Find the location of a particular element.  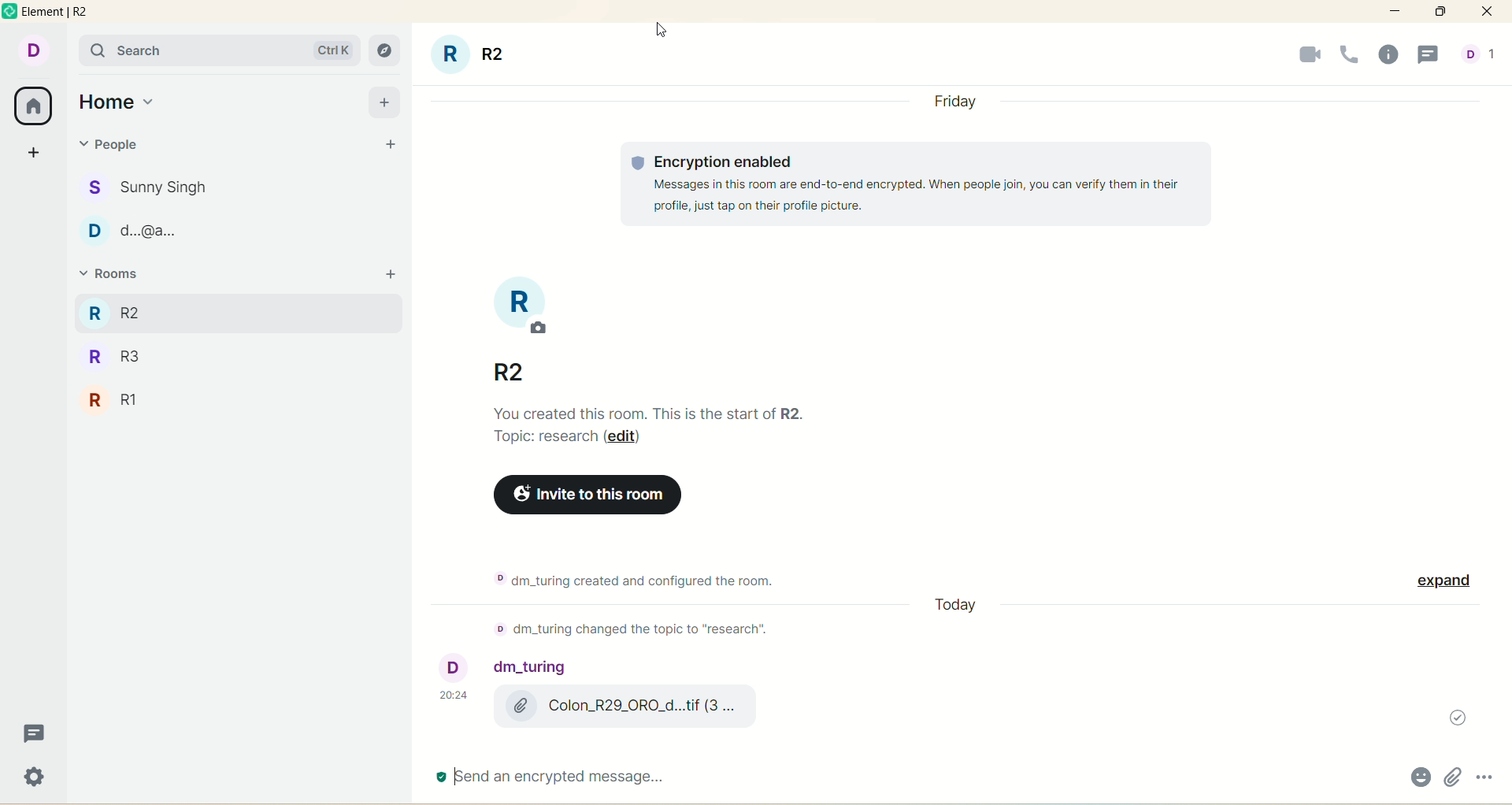

vertical scroll bar is located at coordinates (1503, 421).